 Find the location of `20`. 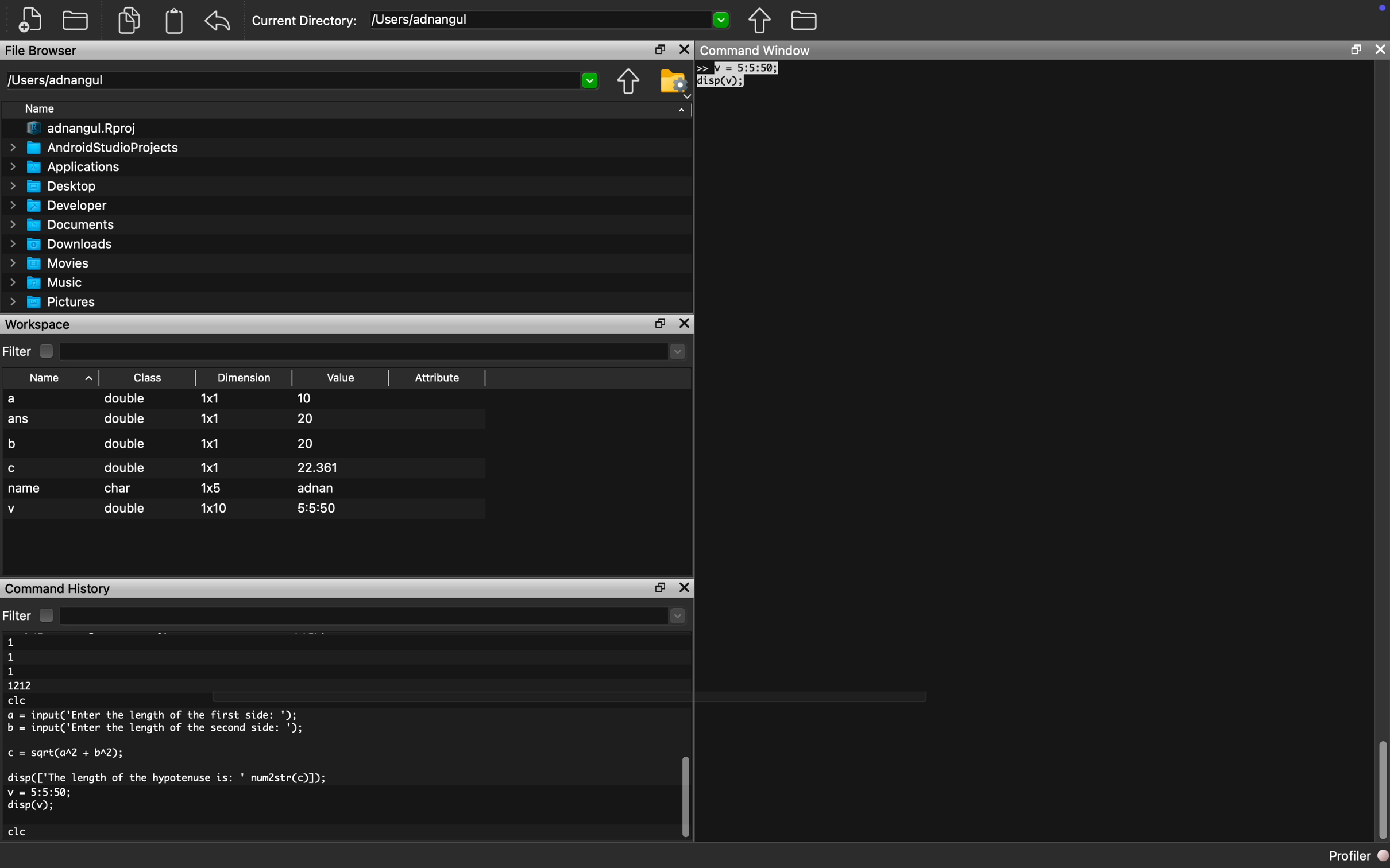

20 is located at coordinates (307, 418).